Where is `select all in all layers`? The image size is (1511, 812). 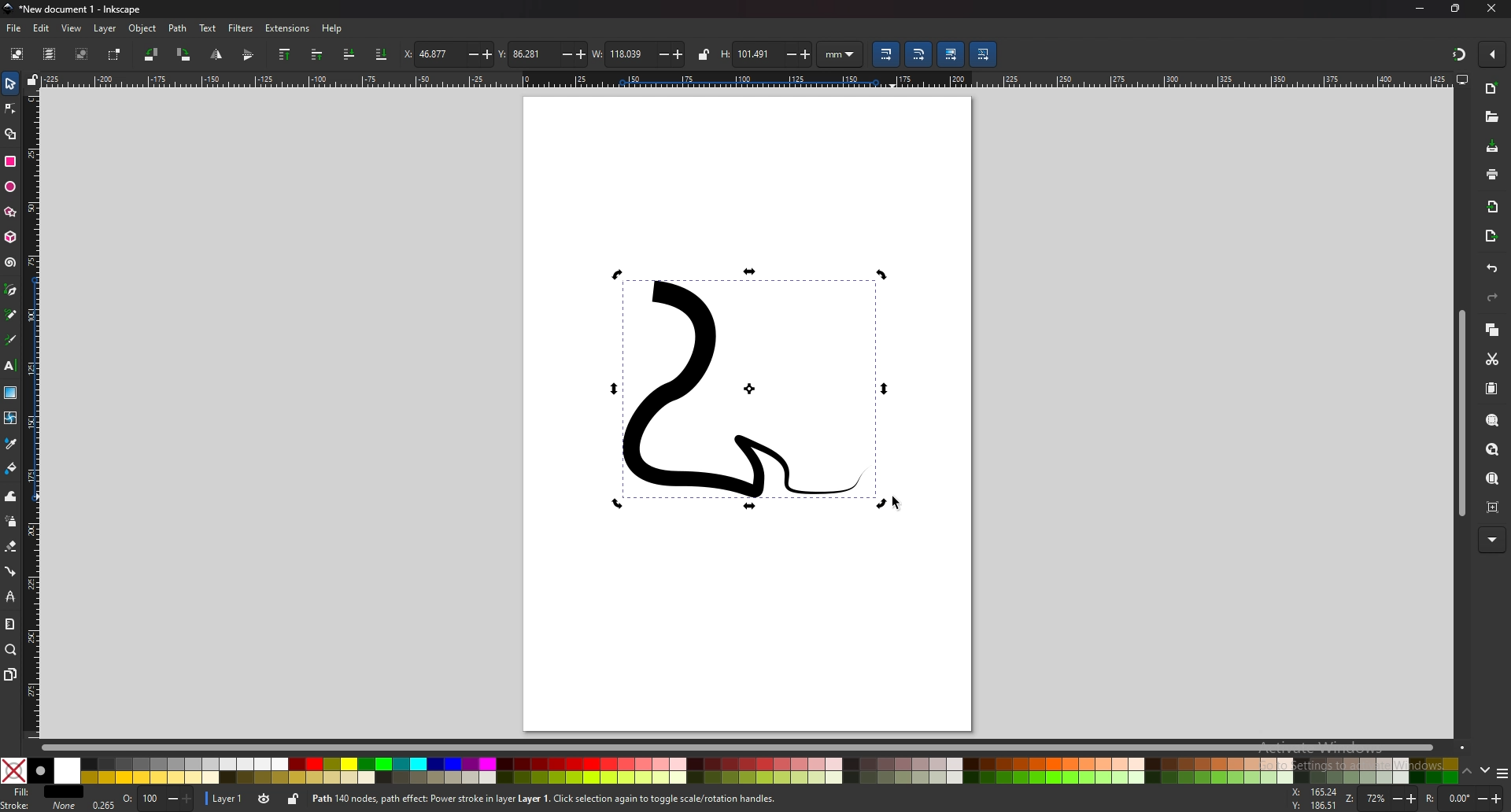
select all in all layers is located at coordinates (49, 54).